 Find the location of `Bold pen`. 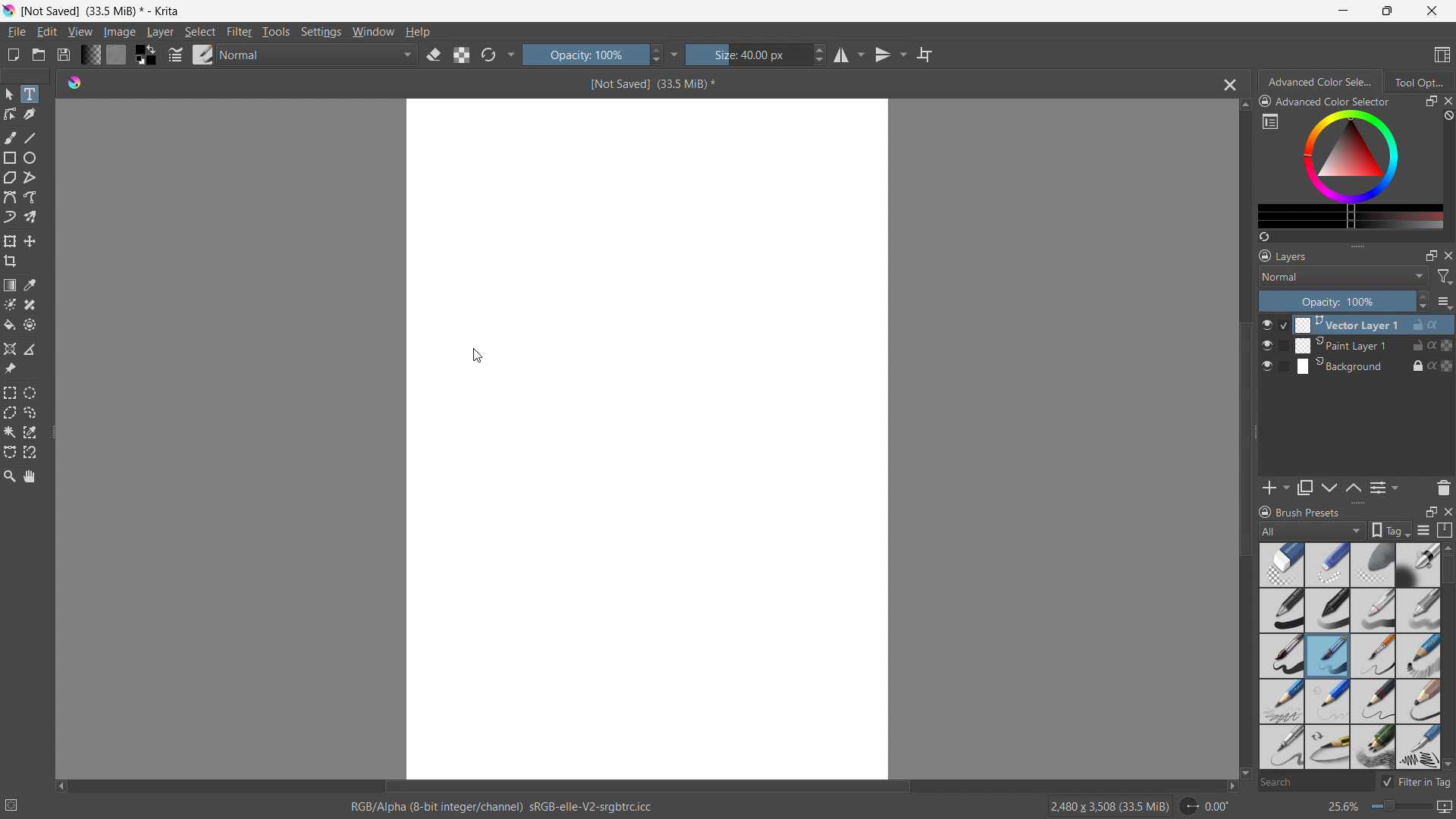

Bold pen is located at coordinates (1417, 565).